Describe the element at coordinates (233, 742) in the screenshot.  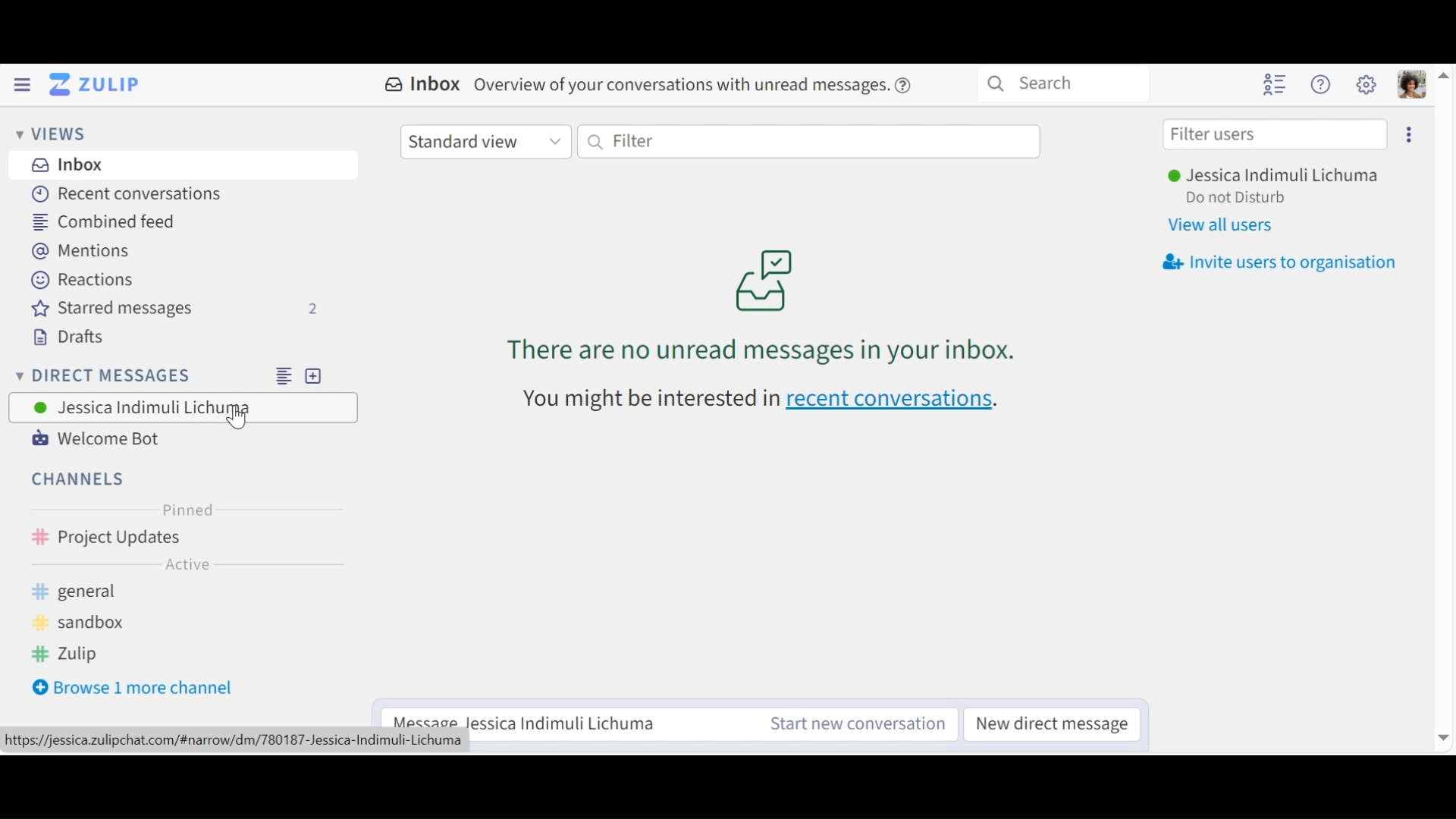
I see `url` at that location.